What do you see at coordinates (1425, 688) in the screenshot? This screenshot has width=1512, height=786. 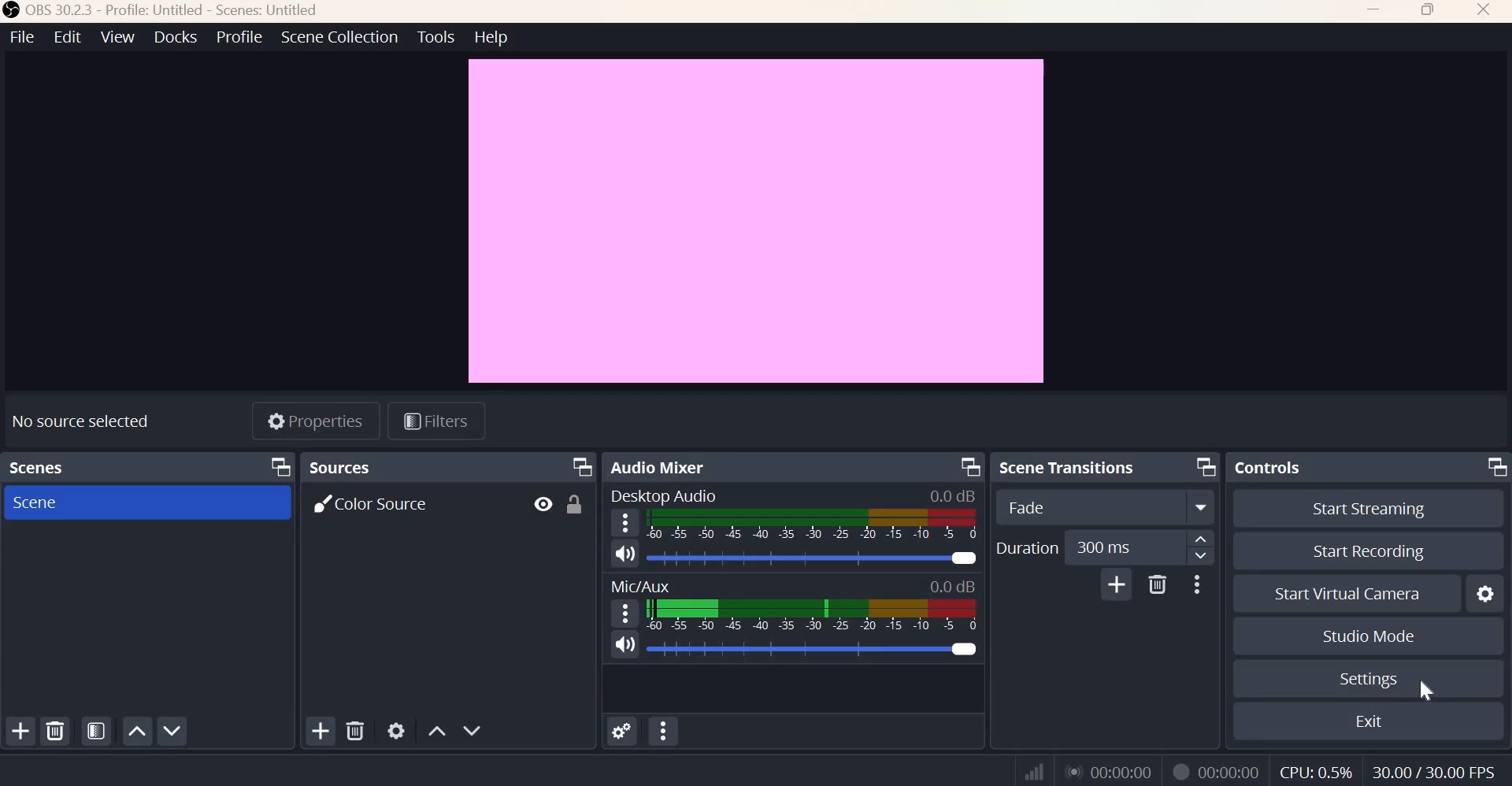 I see `cursor` at bounding box center [1425, 688].